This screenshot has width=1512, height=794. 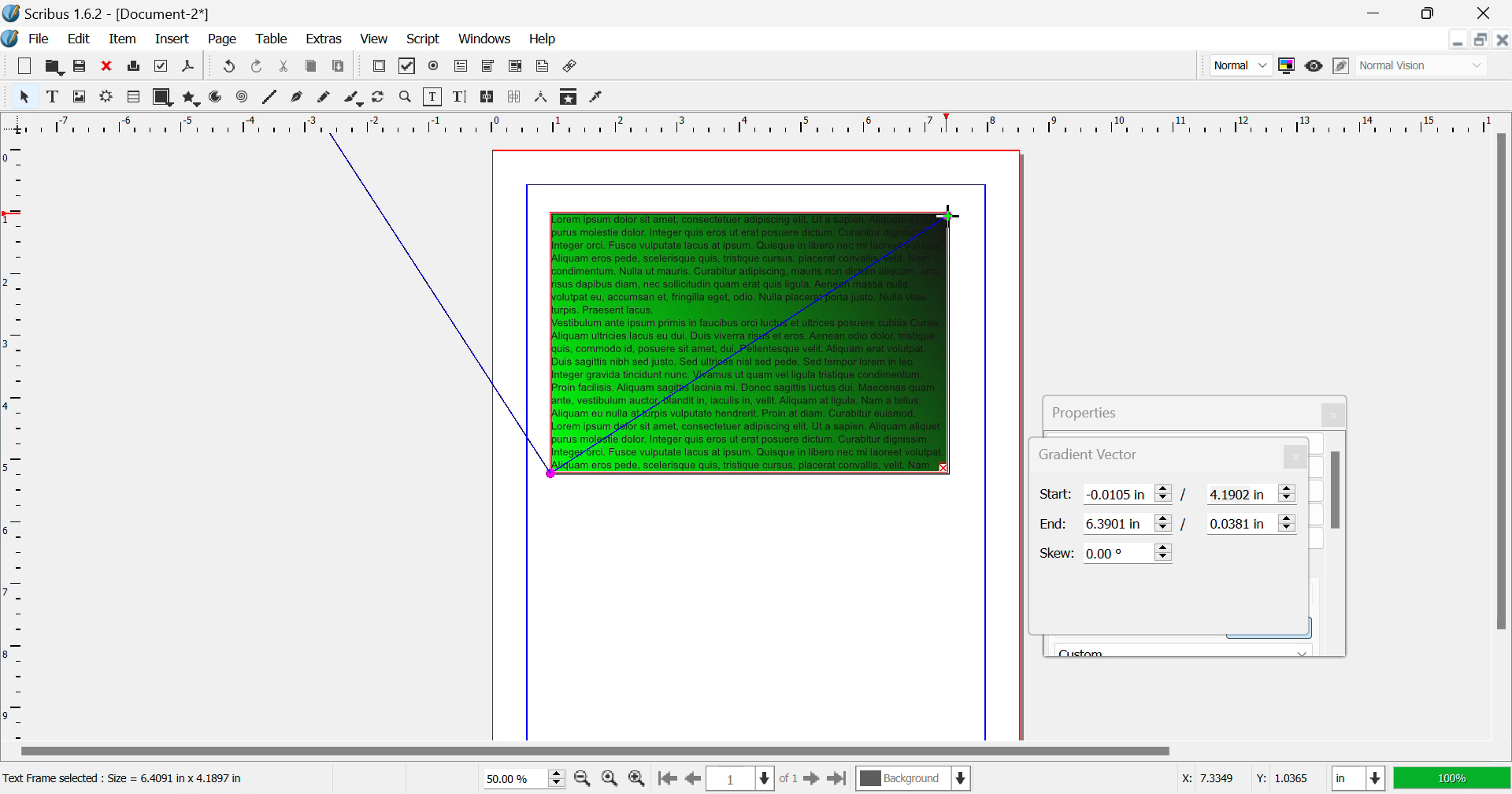 I want to click on Last Page, so click(x=836, y=779).